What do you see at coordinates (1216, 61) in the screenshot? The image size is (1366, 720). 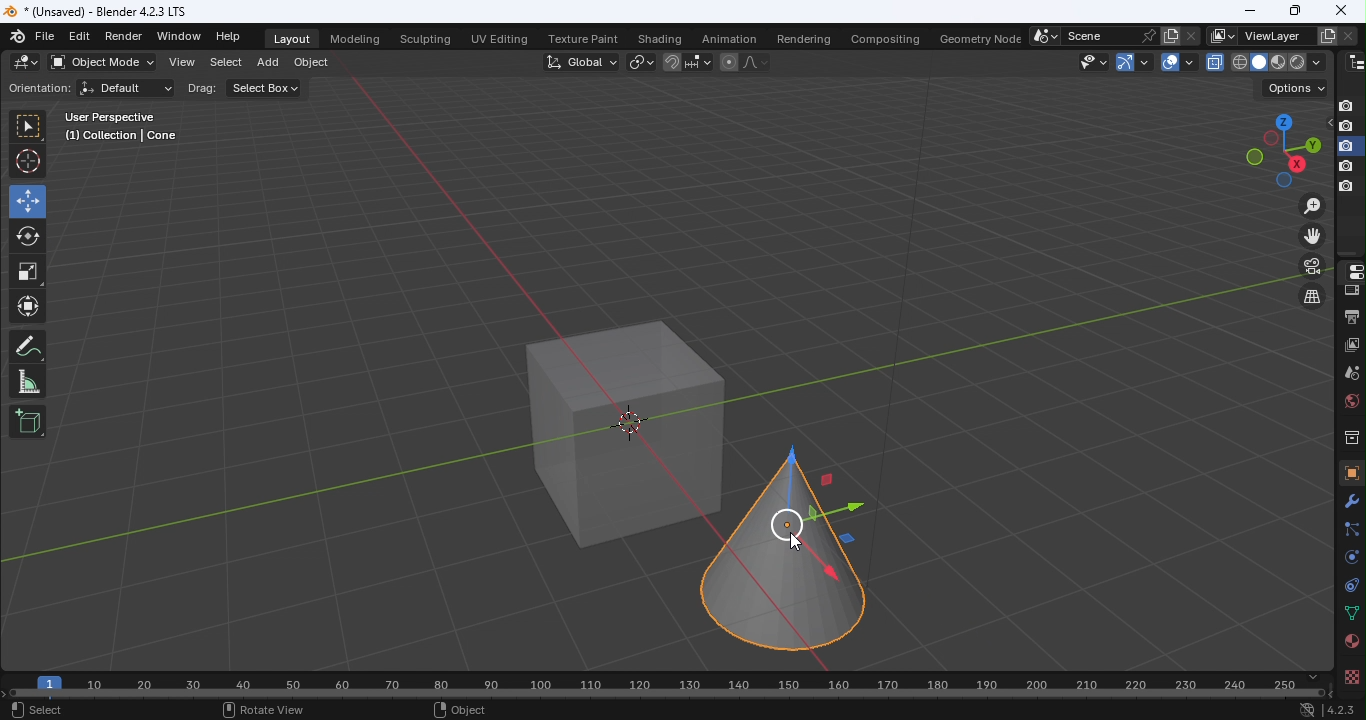 I see `Toggle X-Ray` at bounding box center [1216, 61].